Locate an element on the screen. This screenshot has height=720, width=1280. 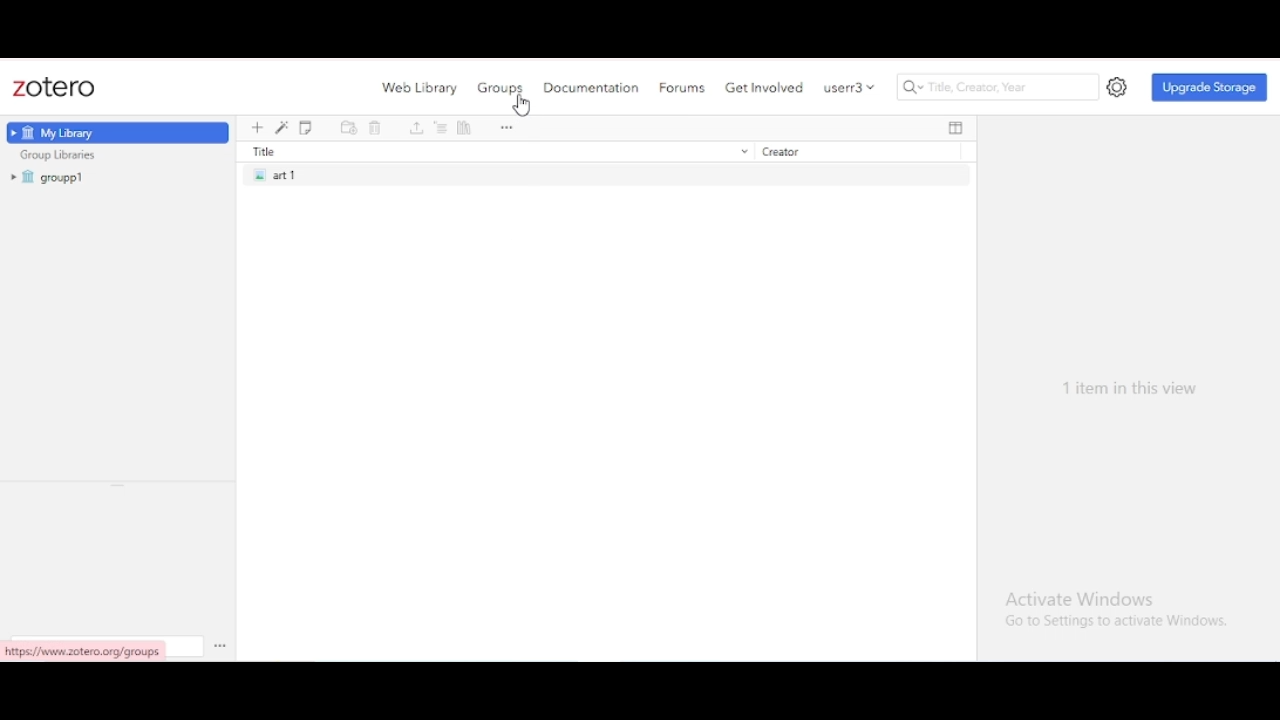
add to collection is located at coordinates (349, 129).